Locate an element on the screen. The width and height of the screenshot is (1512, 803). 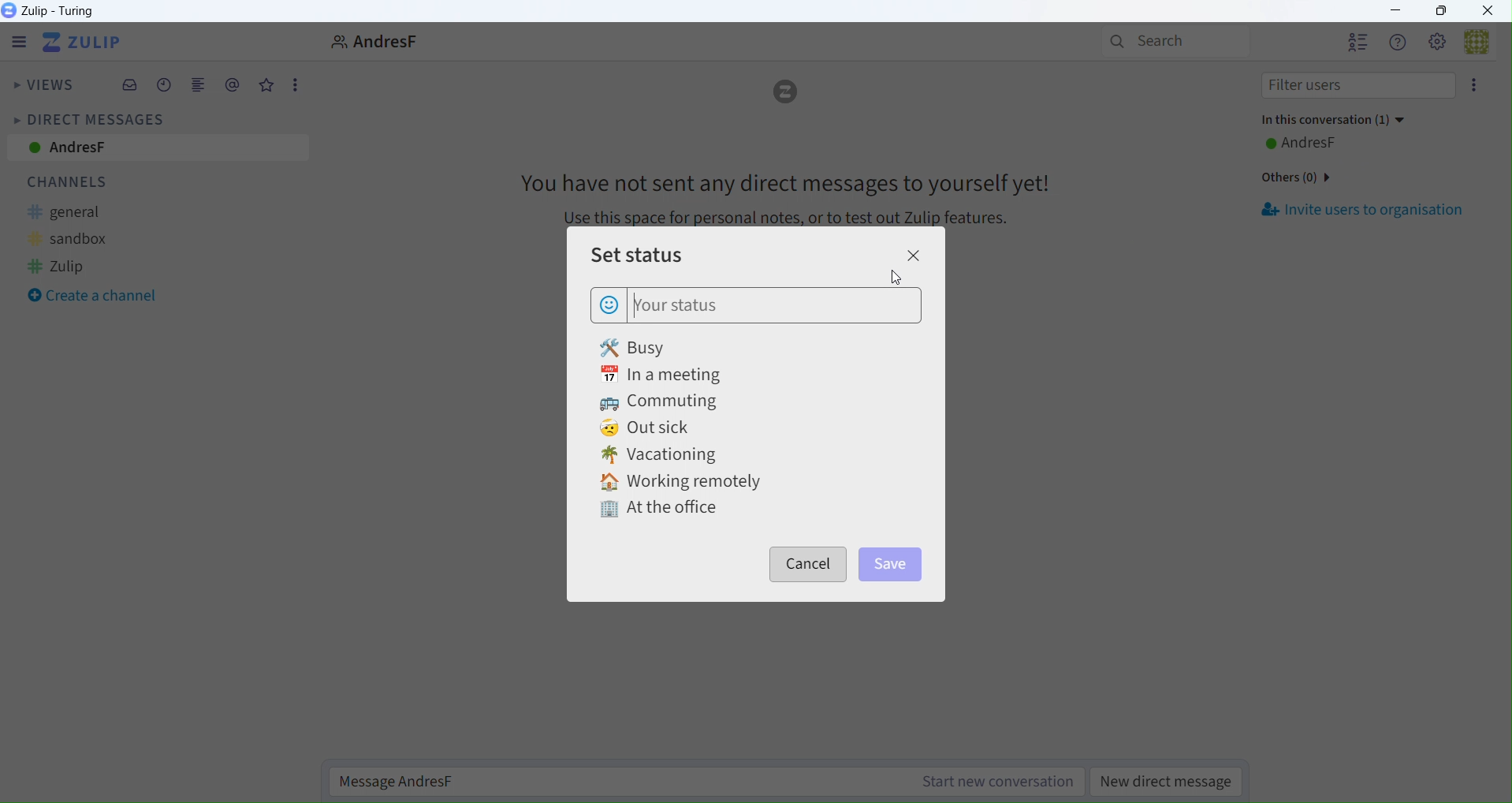
More is located at coordinates (1475, 87).